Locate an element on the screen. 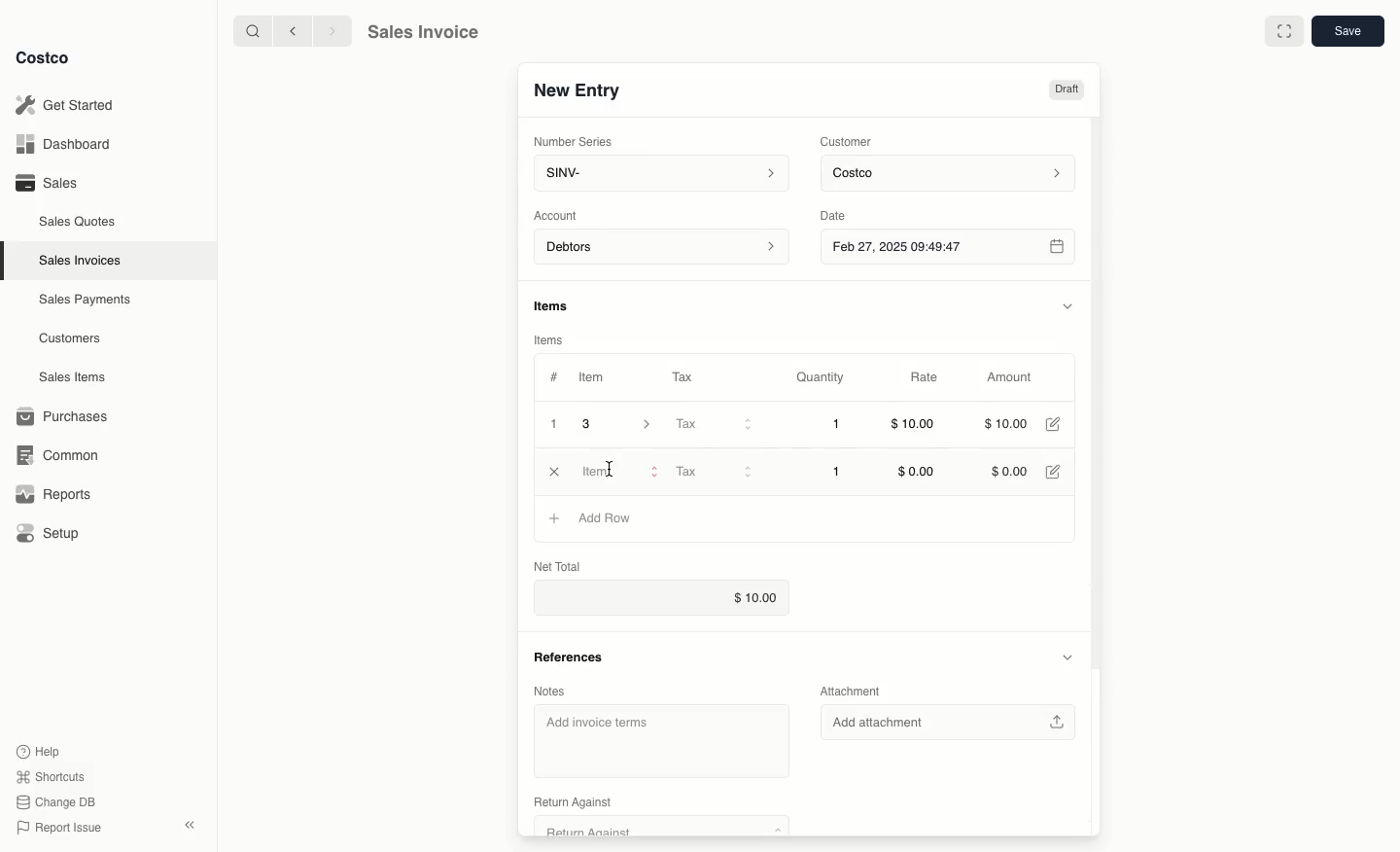  backward is located at coordinates (289, 30).